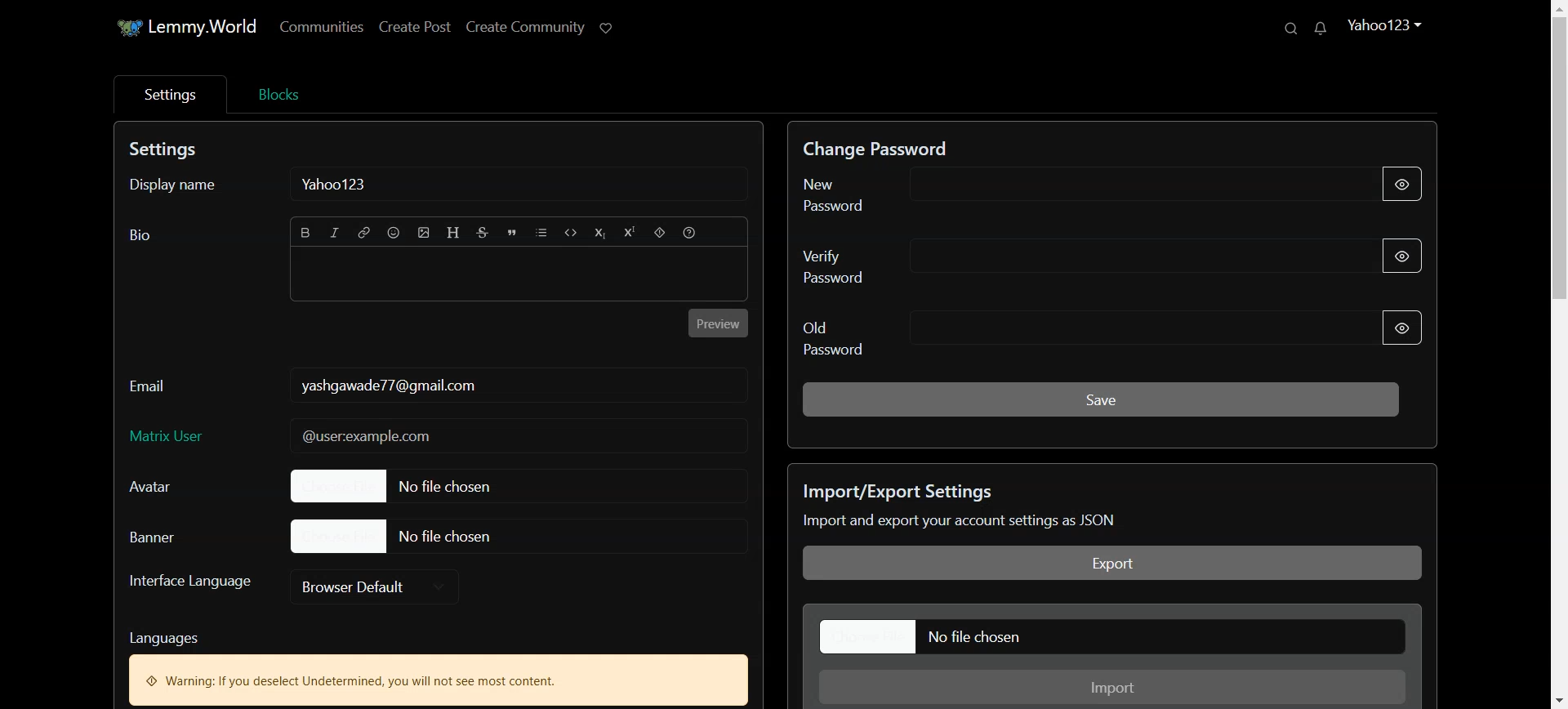 The height and width of the screenshot is (709, 1568). What do you see at coordinates (1049, 262) in the screenshot?
I see `Verify password` at bounding box center [1049, 262].